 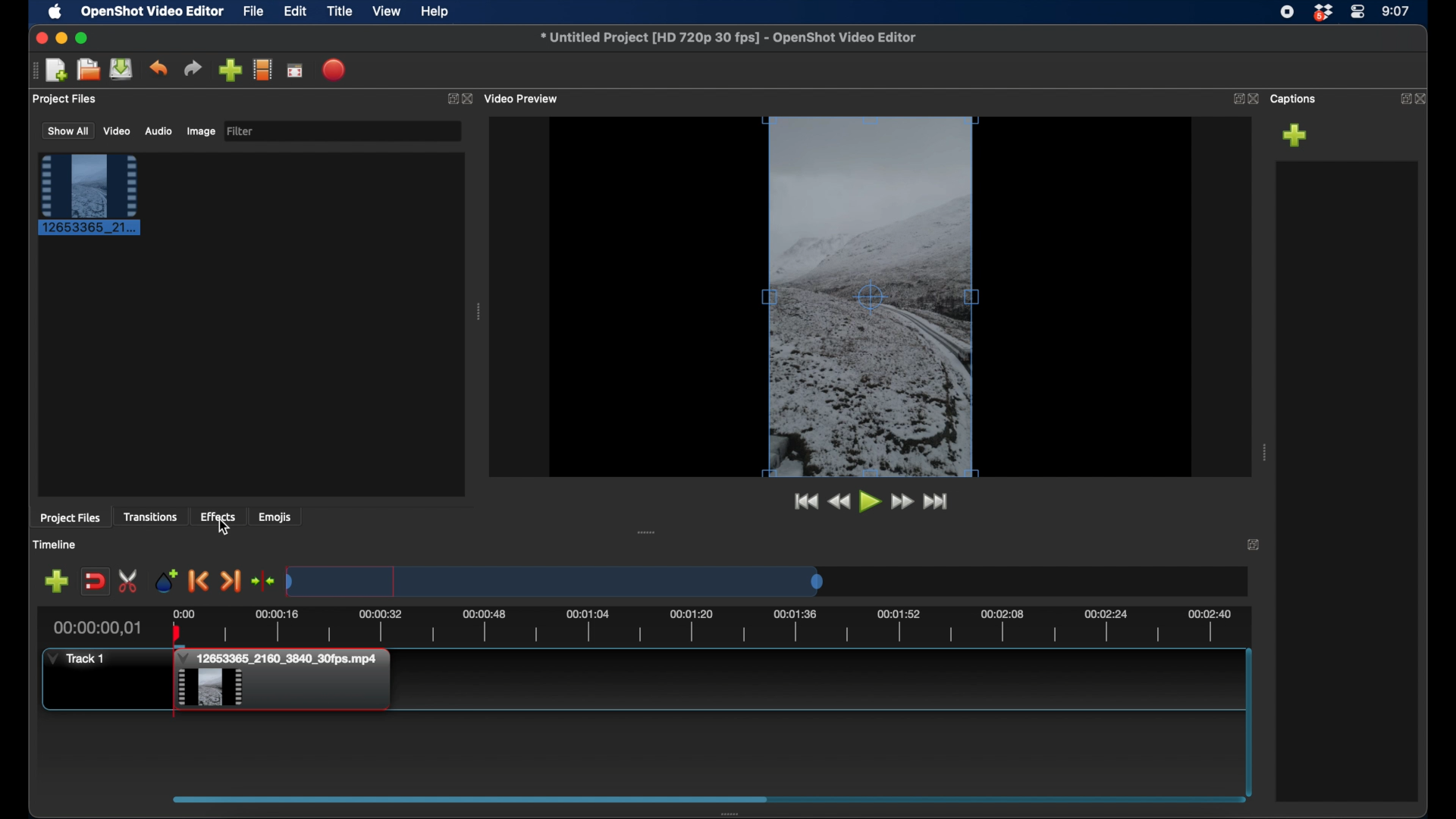 What do you see at coordinates (254, 12) in the screenshot?
I see `file` at bounding box center [254, 12].